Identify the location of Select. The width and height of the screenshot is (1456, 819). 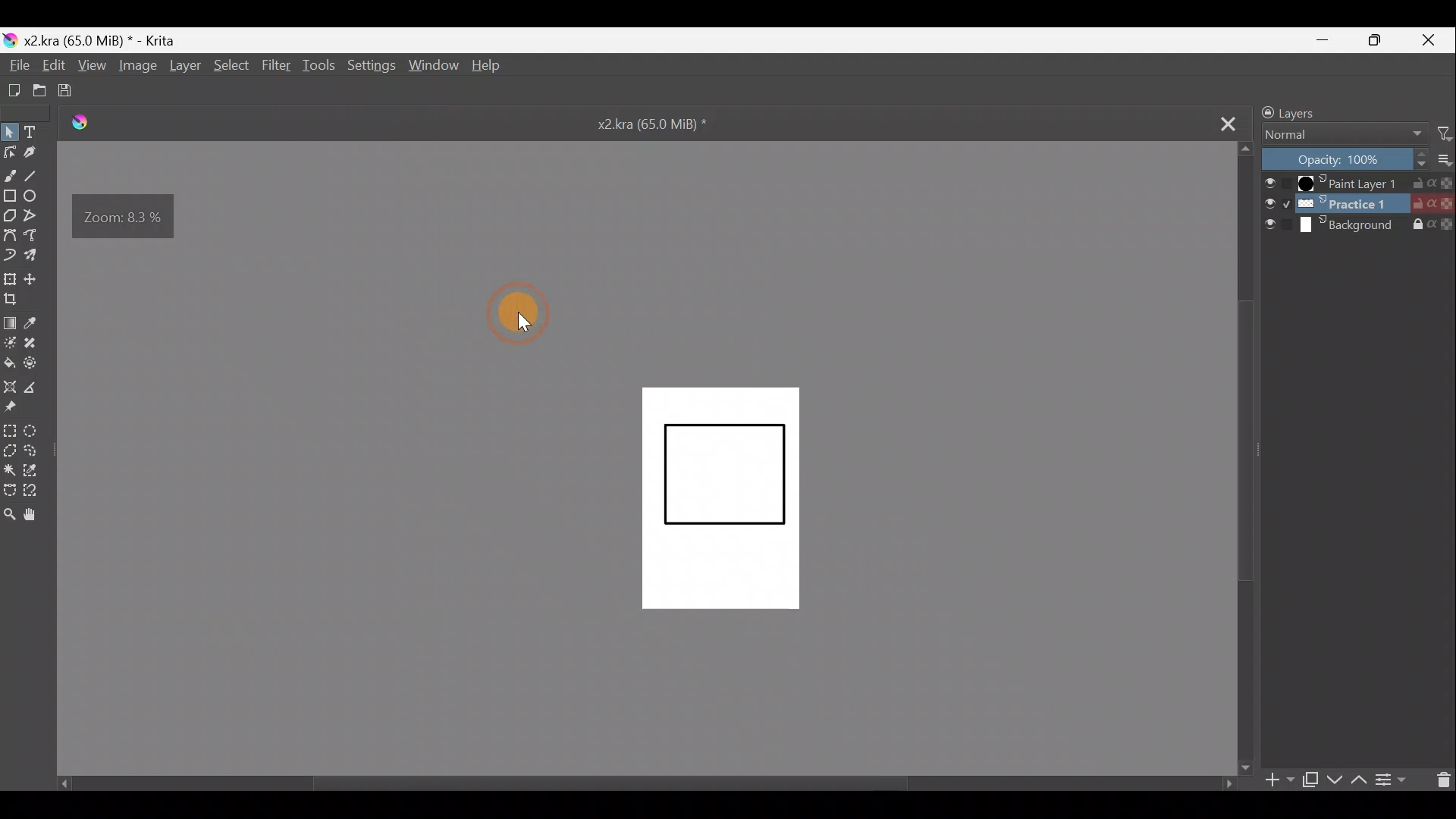
(231, 66).